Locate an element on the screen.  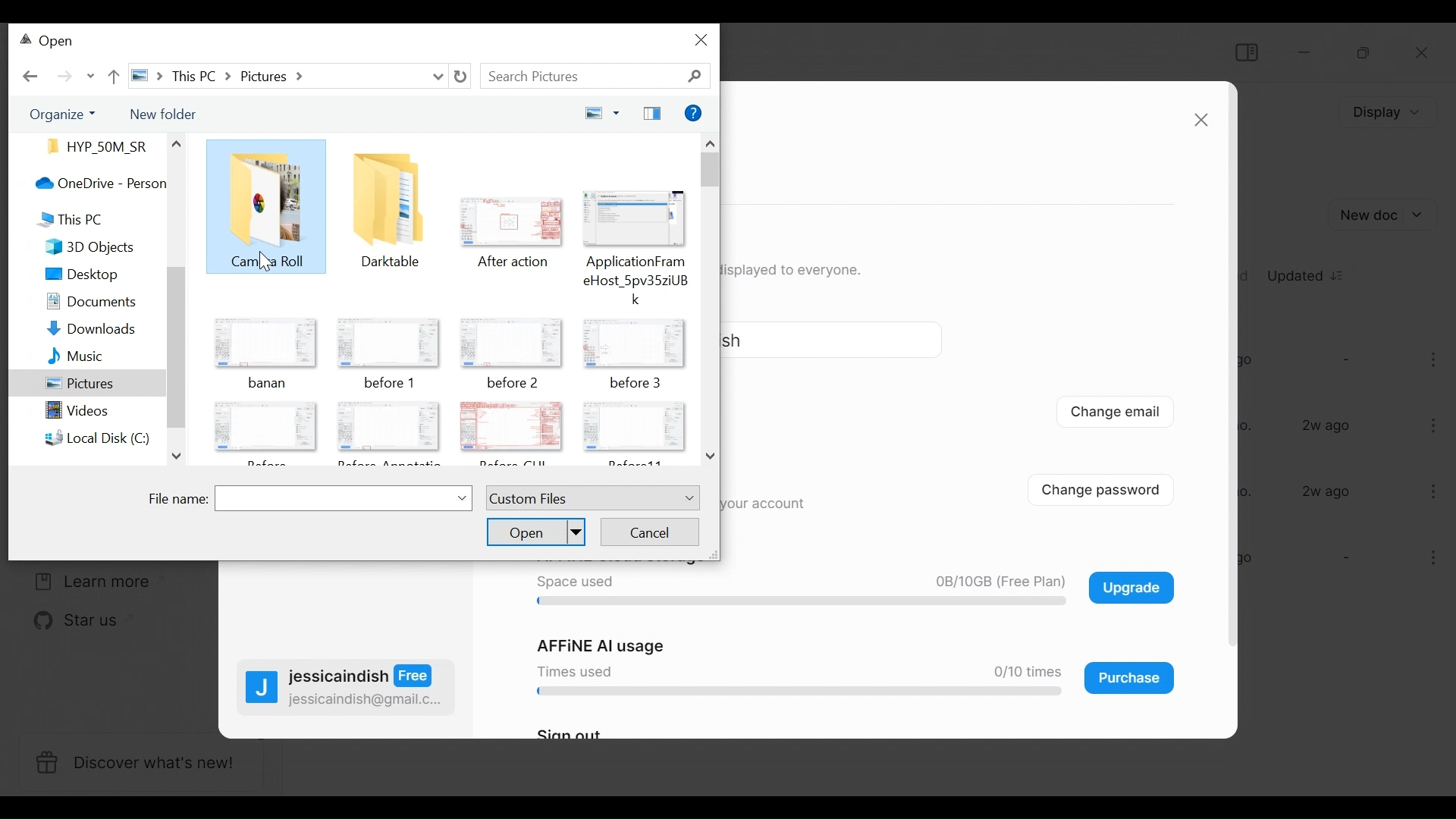
Darktable is located at coordinates (391, 263).